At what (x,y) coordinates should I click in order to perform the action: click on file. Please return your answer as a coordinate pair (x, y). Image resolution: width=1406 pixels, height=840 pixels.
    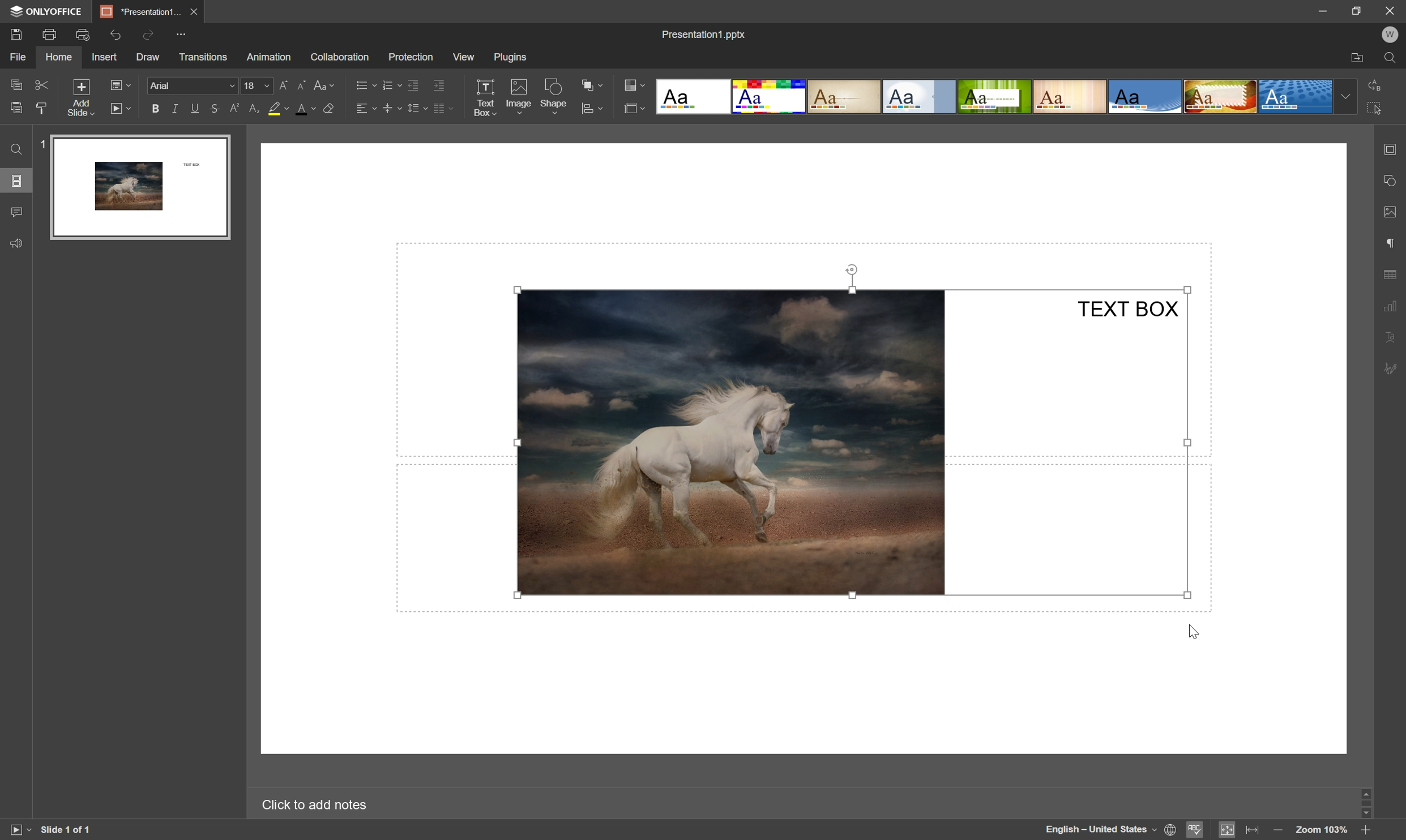
    Looking at the image, I should click on (15, 57).